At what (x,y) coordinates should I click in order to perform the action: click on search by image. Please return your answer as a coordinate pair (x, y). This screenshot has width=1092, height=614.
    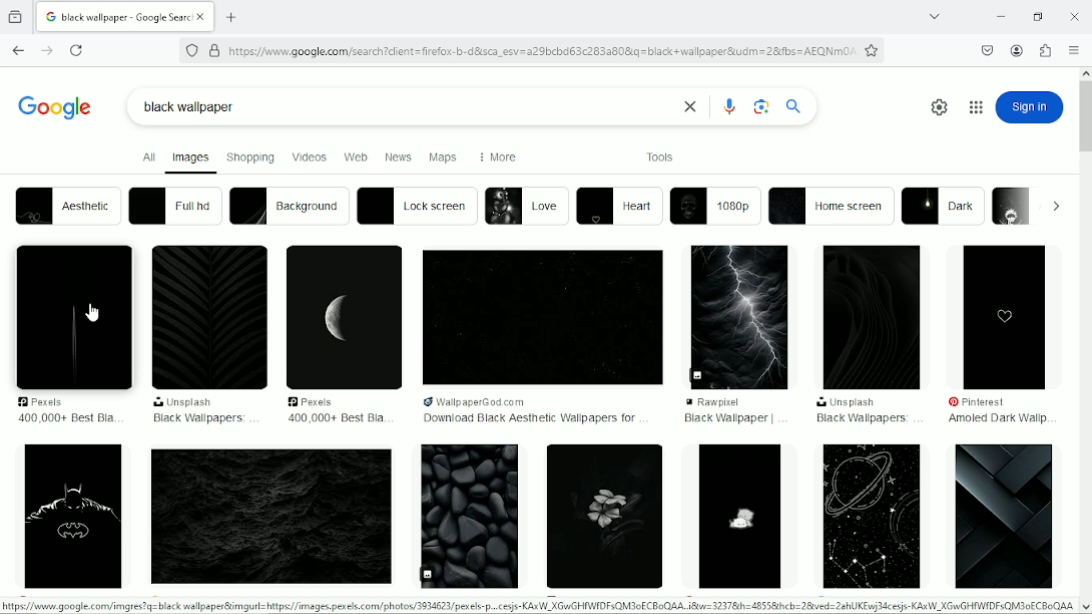
    Looking at the image, I should click on (762, 107).